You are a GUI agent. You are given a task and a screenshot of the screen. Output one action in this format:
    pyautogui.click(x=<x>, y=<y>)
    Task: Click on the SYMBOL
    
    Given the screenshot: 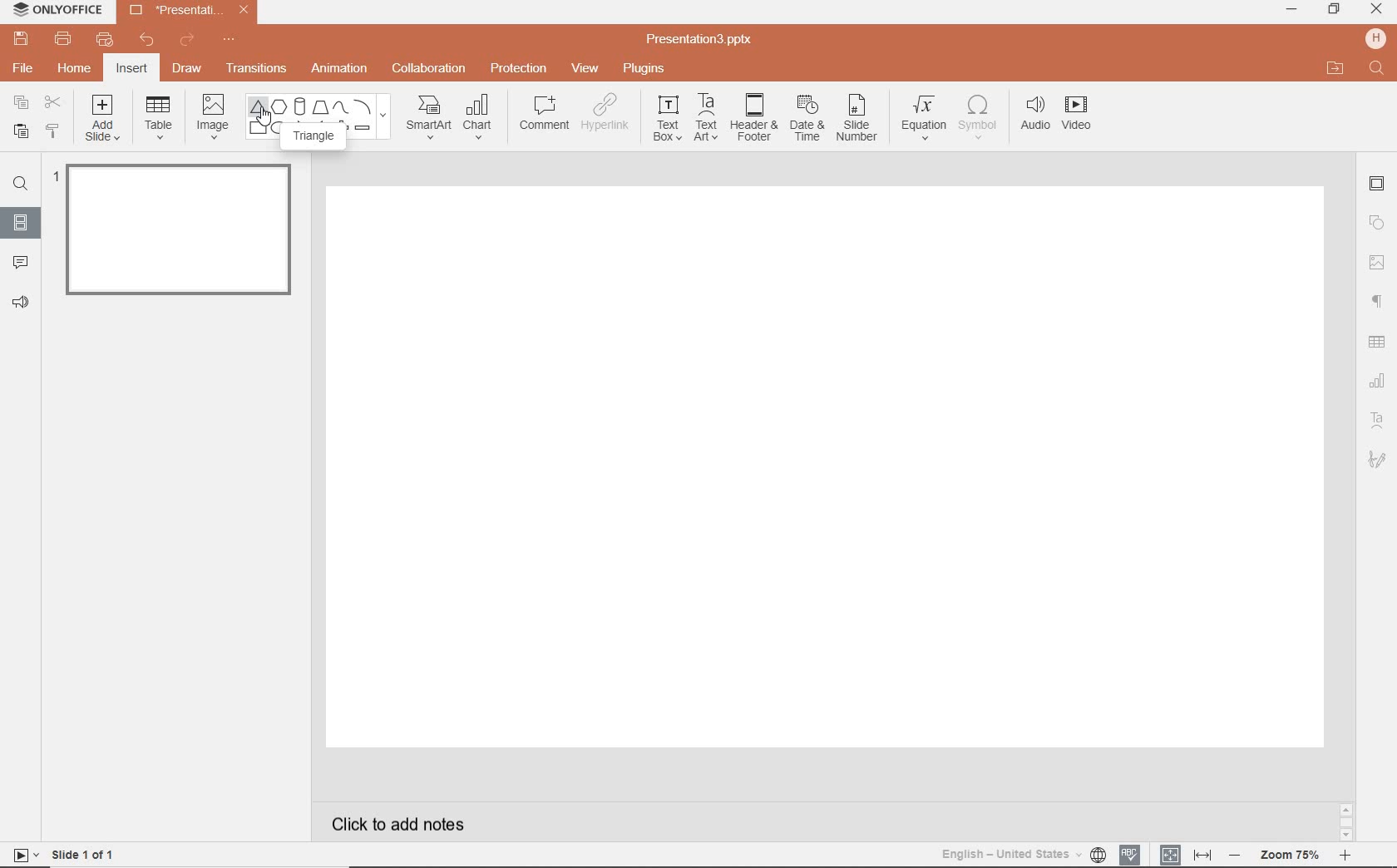 What is the action you would take?
    pyautogui.click(x=980, y=114)
    